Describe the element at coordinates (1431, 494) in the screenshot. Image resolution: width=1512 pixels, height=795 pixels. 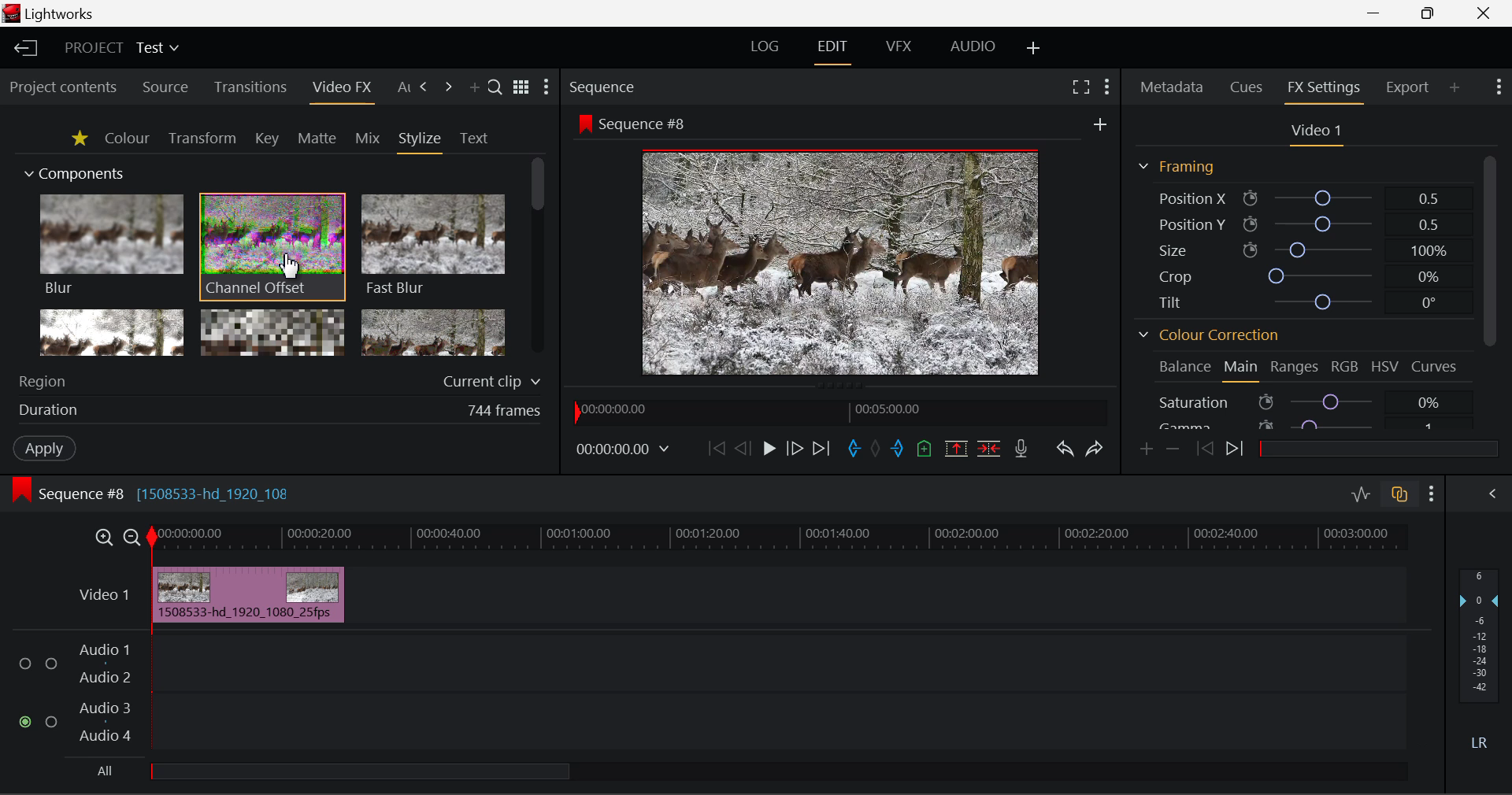
I see `Show Settings` at that location.